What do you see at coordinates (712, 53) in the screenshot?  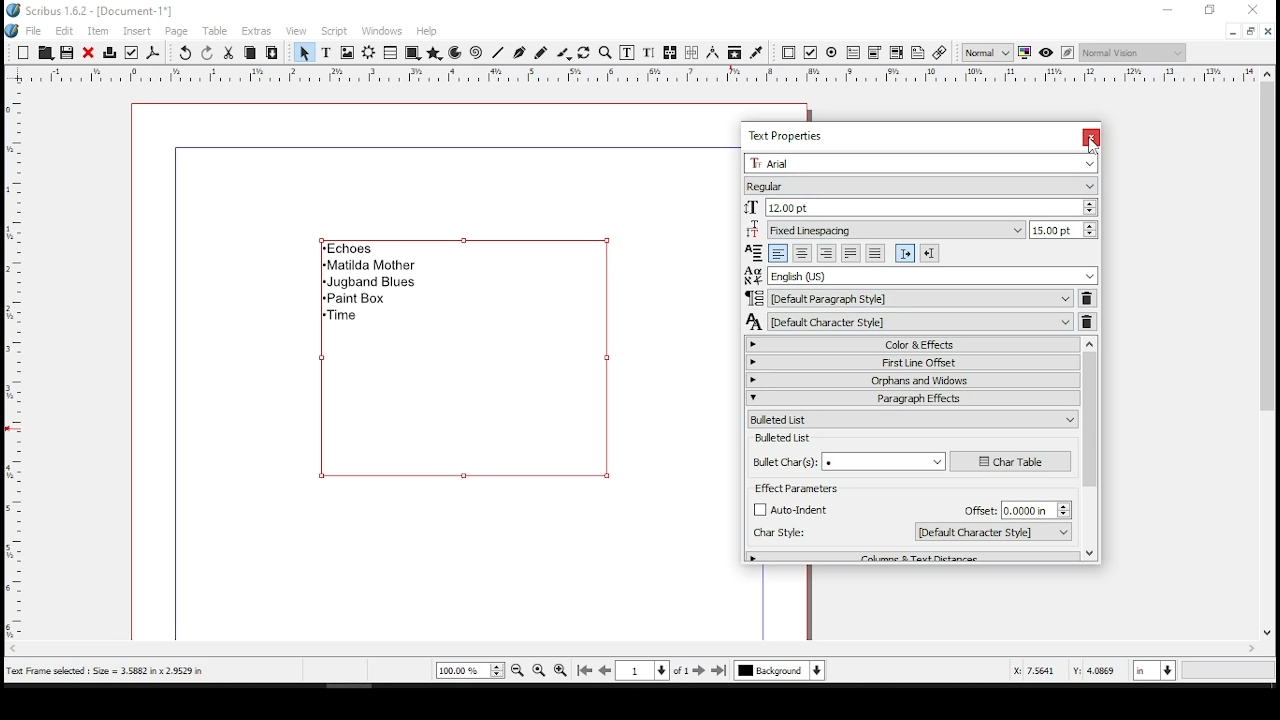 I see `measurements` at bounding box center [712, 53].